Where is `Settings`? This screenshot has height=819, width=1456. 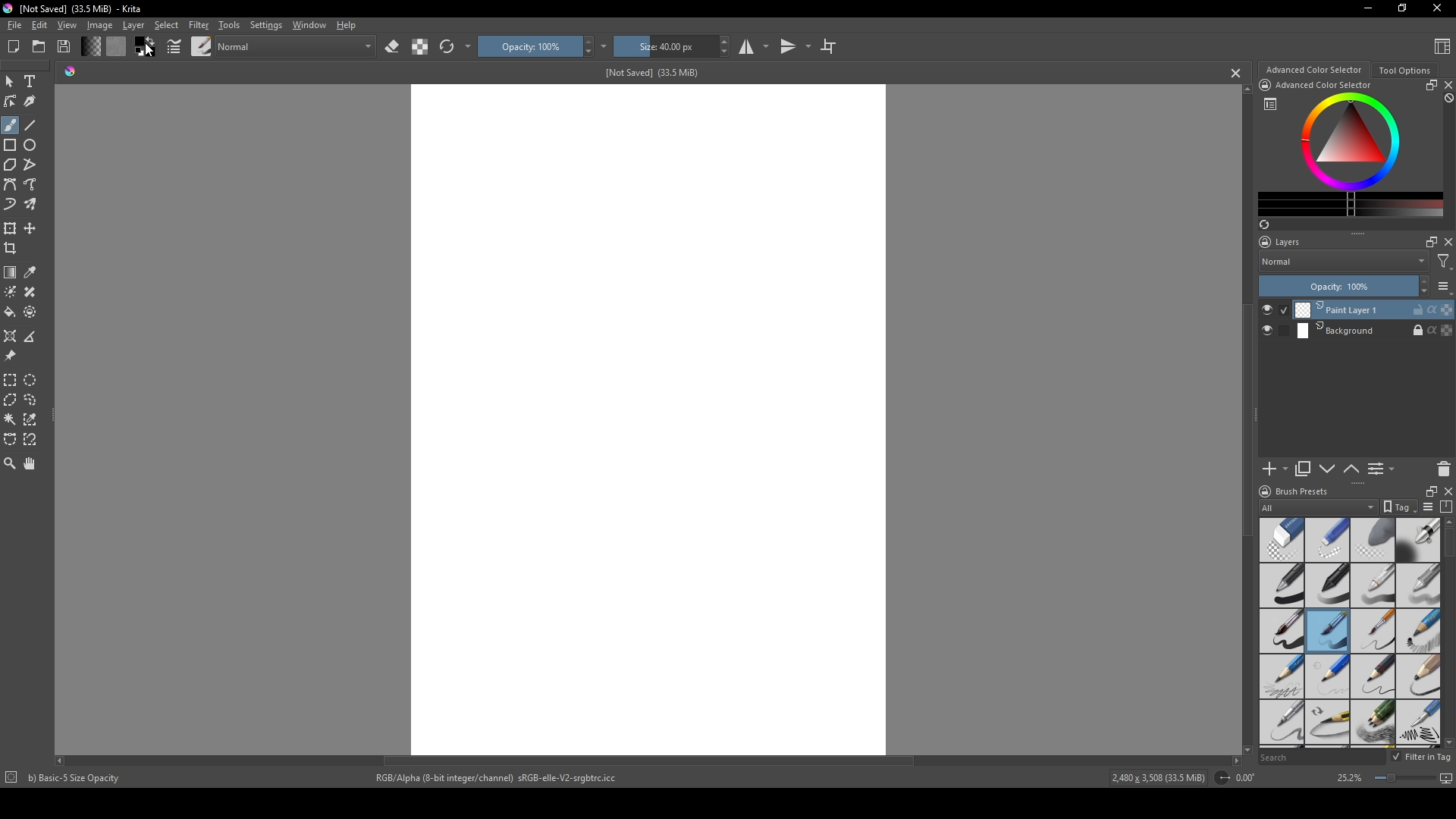 Settings is located at coordinates (265, 25).